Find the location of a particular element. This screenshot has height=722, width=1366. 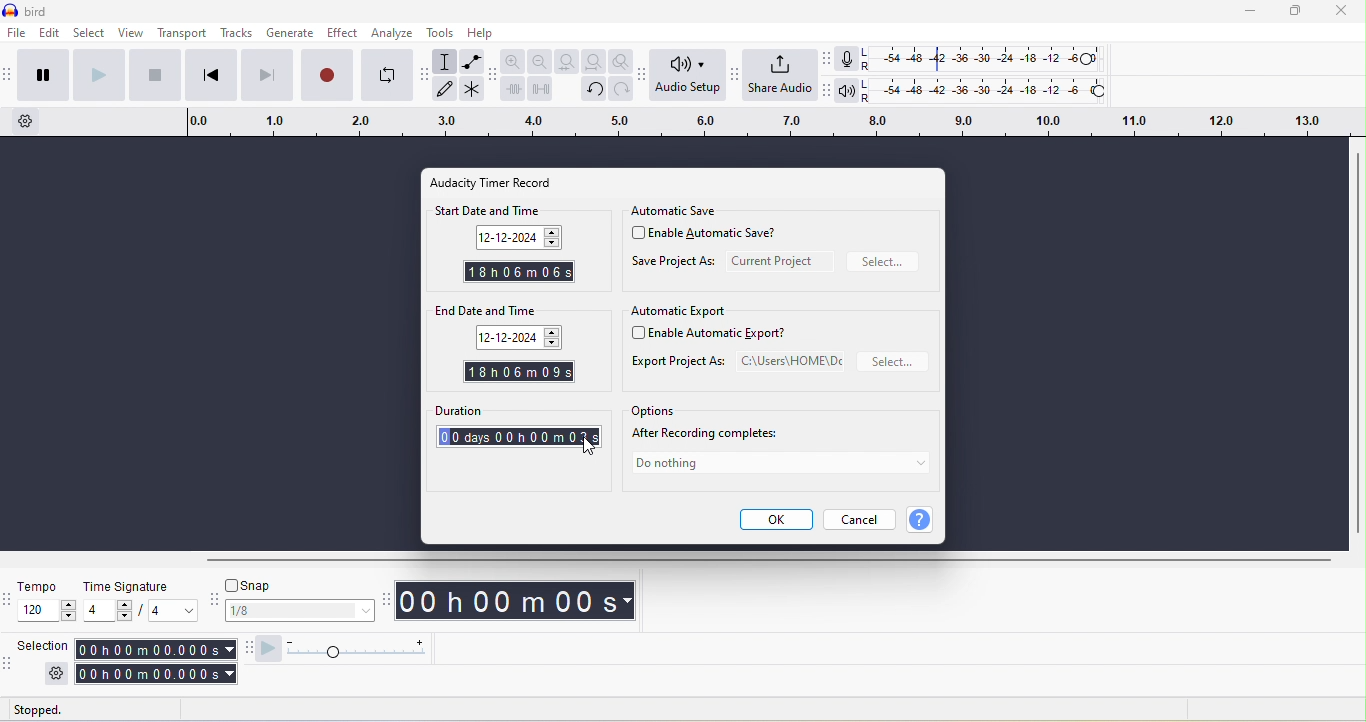

audio setup is located at coordinates (689, 76).